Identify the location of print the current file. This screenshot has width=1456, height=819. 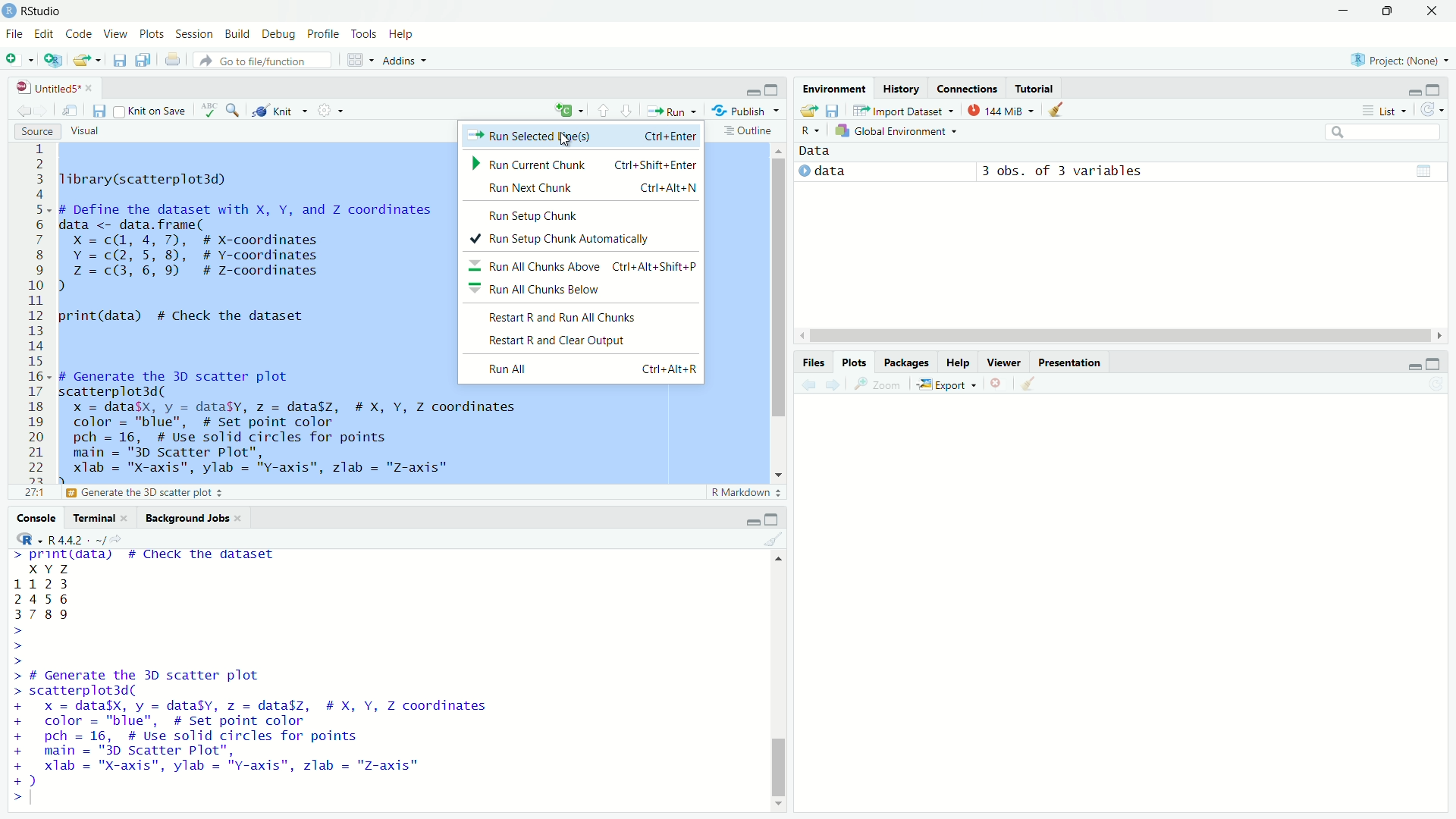
(171, 62).